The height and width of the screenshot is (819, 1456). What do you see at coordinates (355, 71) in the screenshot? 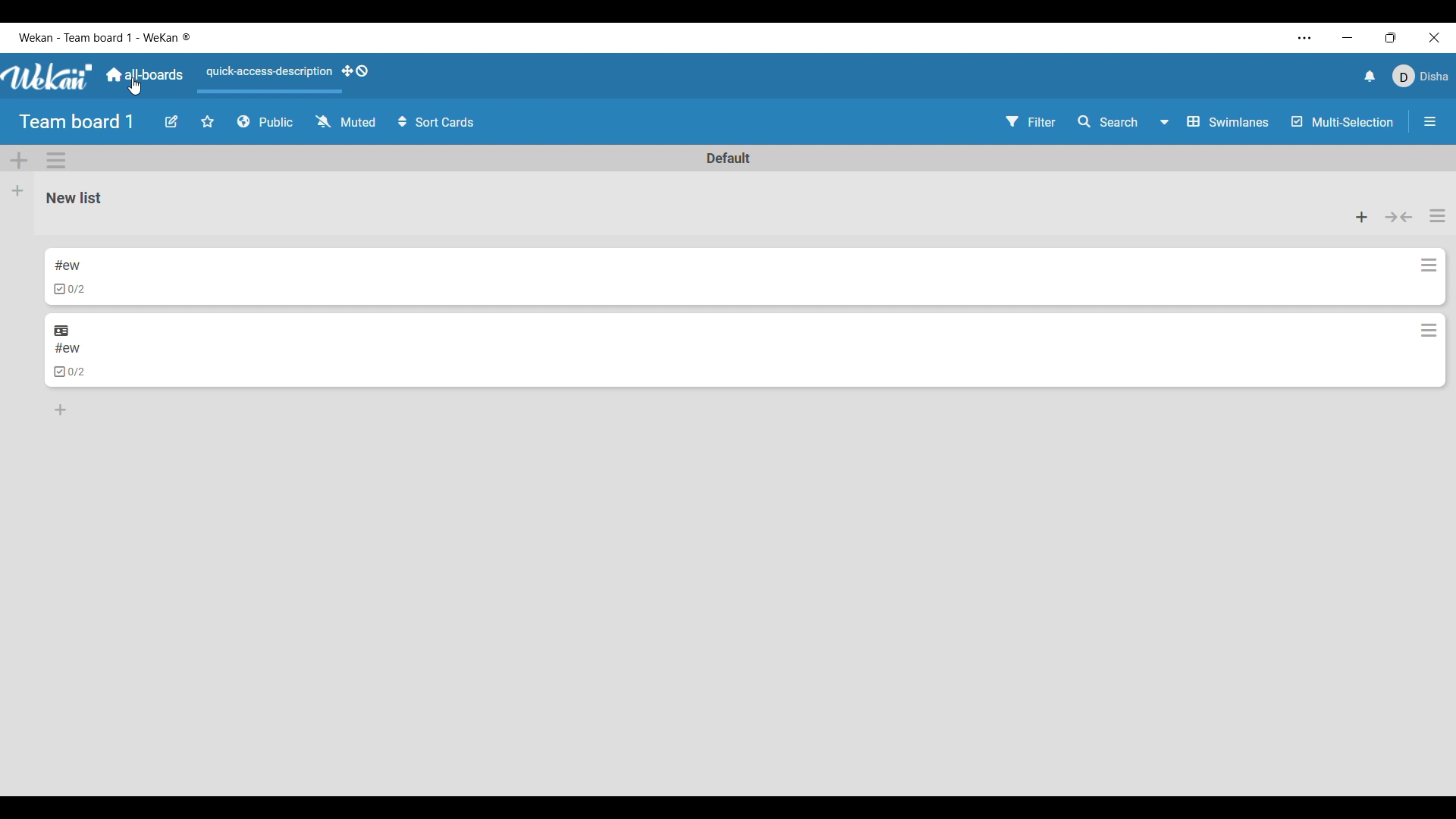
I see `Show desktop drag handles` at bounding box center [355, 71].